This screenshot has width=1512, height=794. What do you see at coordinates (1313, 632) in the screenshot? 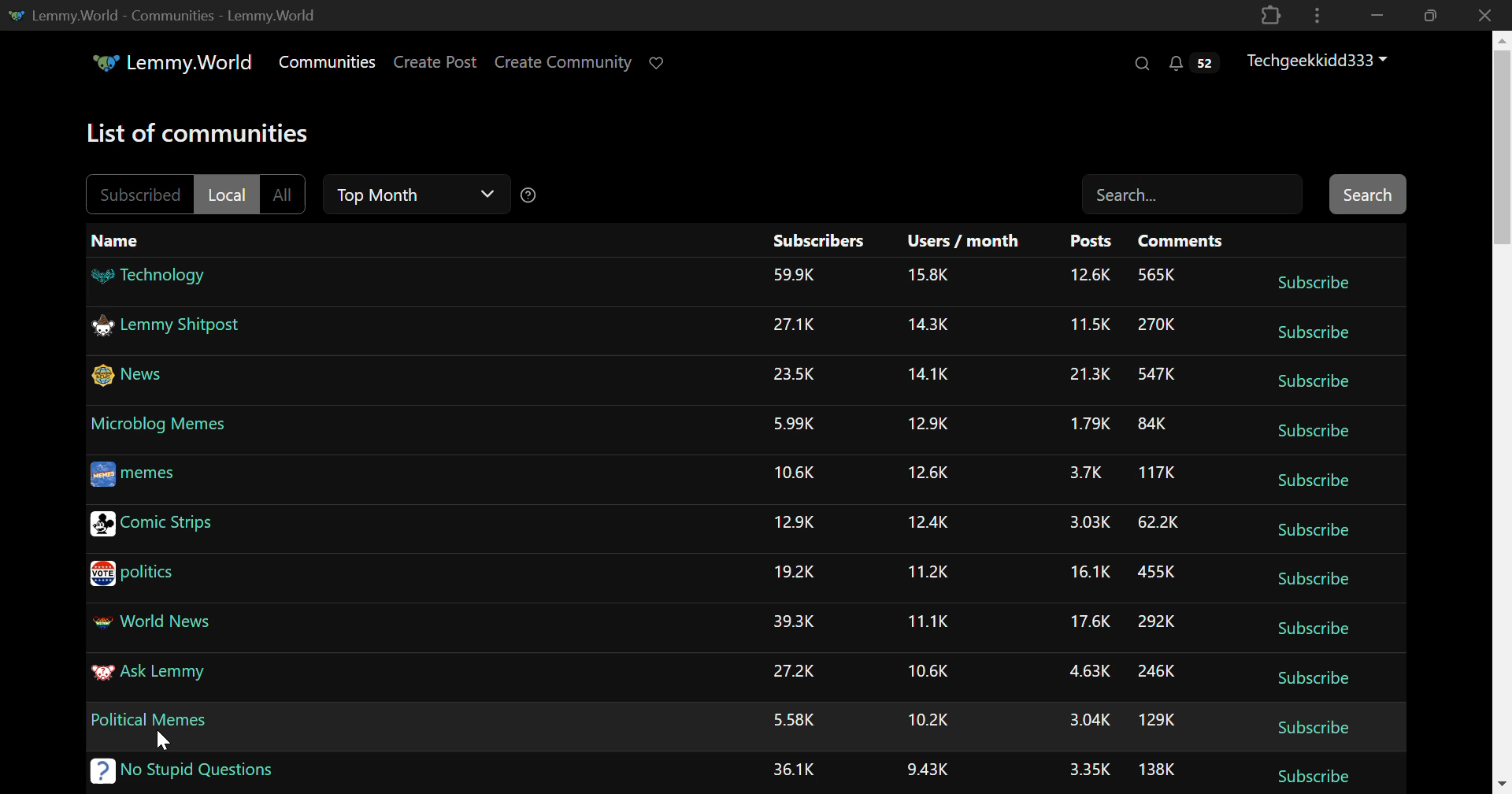
I see `Subscribe` at bounding box center [1313, 632].